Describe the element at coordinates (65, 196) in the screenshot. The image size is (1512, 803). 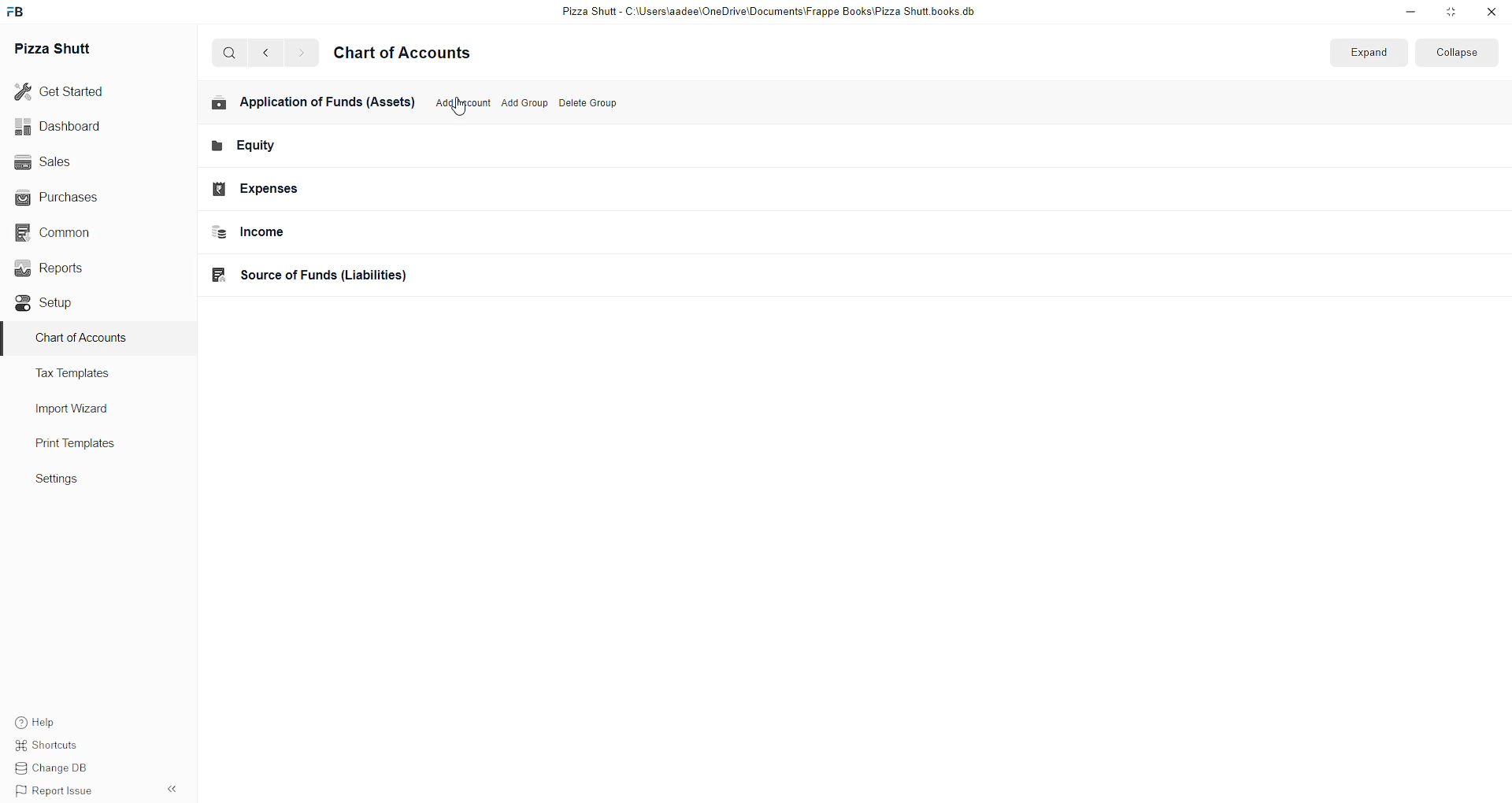
I see `Purchases ` at that location.